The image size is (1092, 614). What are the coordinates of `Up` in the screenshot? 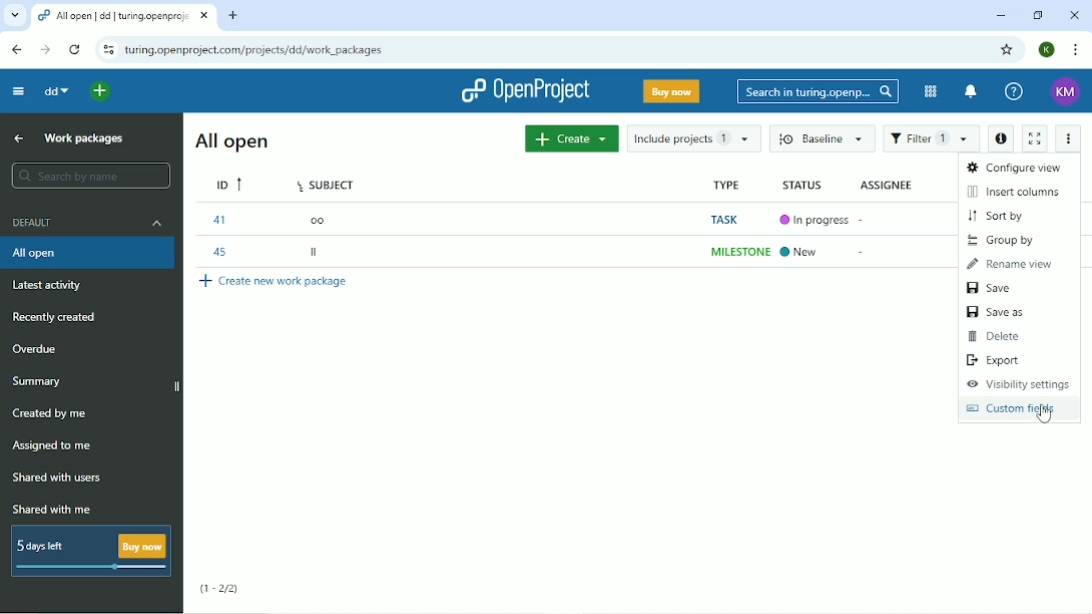 It's located at (20, 139).